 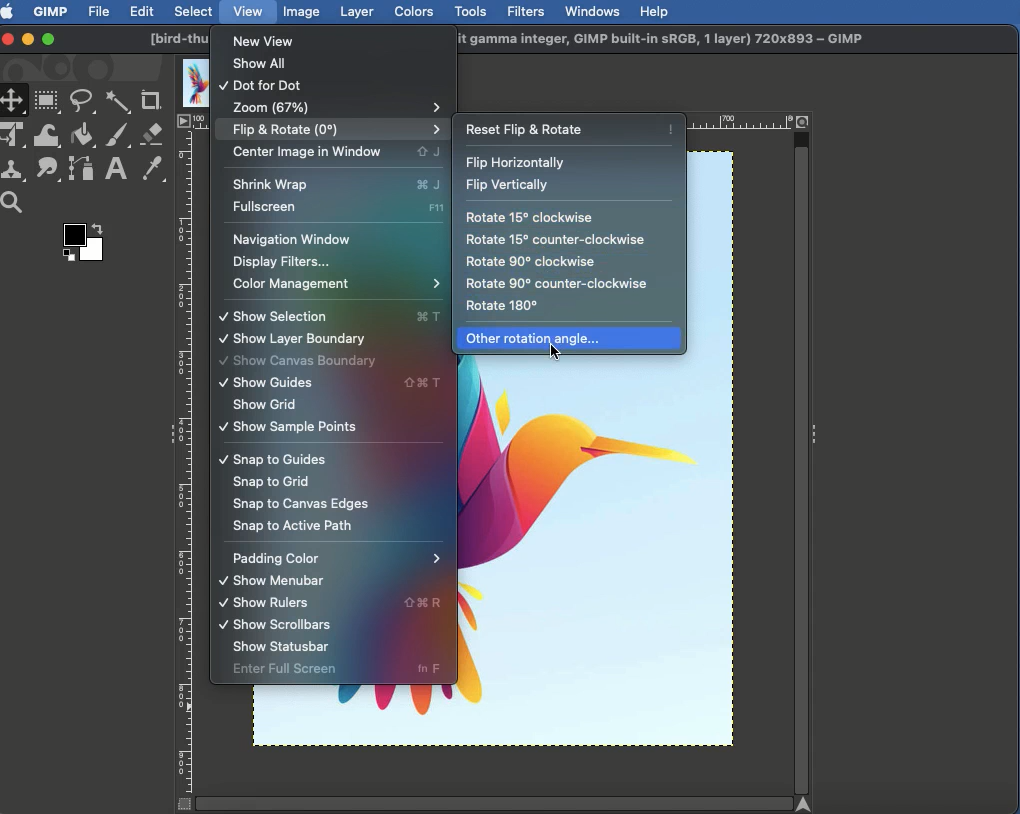 What do you see at coordinates (334, 106) in the screenshot?
I see `Zoom` at bounding box center [334, 106].